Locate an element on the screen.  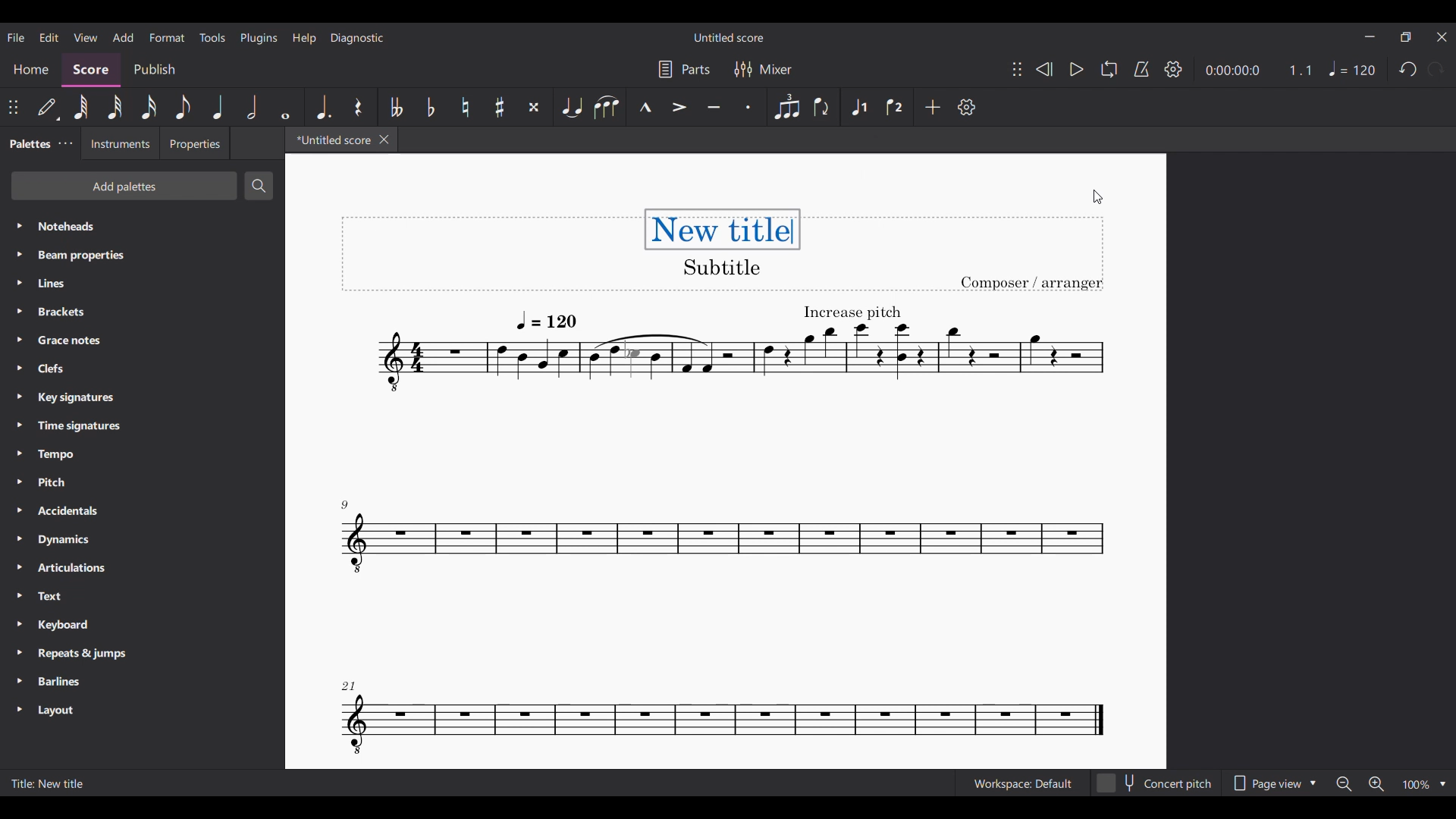
Noteheads is located at coordinates (143, 226).